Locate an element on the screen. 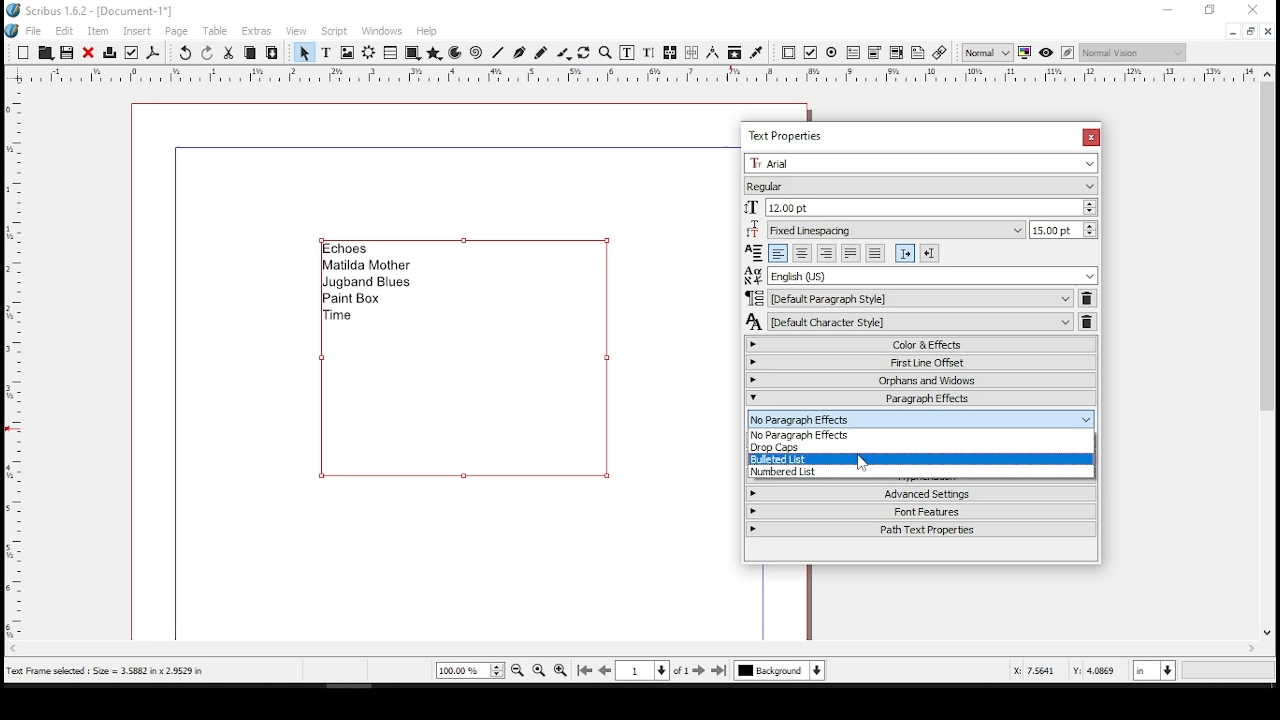  language is located at coordinates (921, 275).